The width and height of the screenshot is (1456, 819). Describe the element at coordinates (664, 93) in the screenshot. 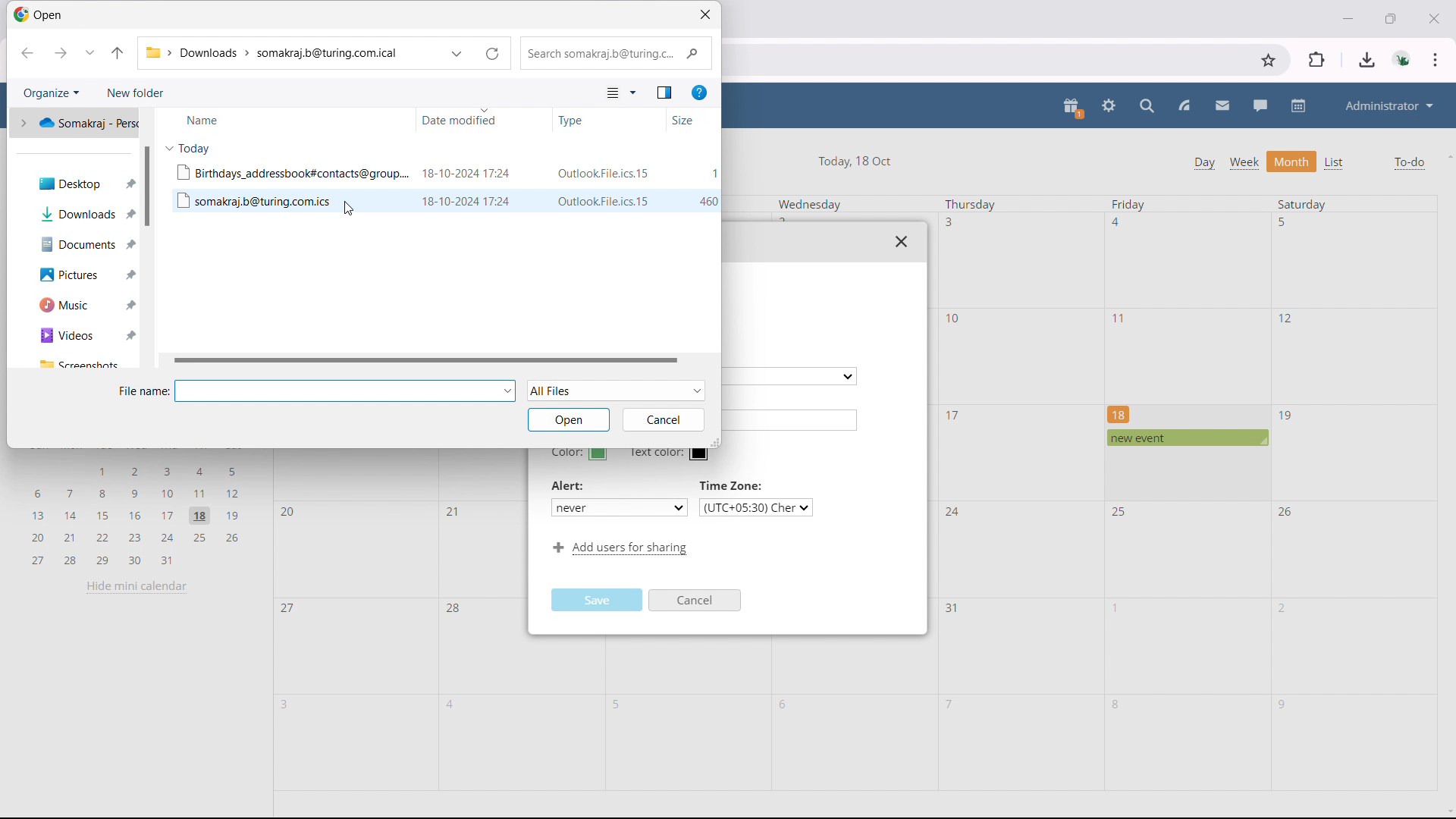

I see `preview pane` at that location.